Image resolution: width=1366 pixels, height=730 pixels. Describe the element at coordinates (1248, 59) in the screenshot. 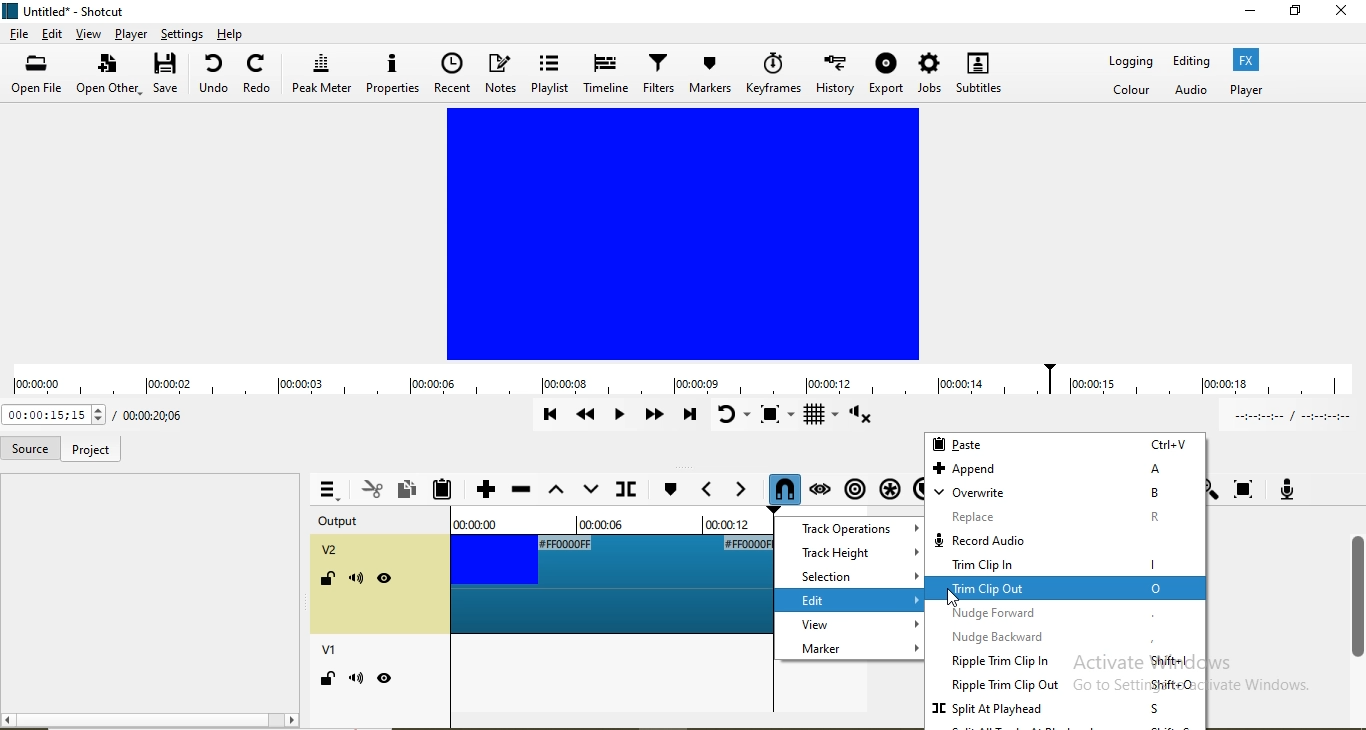

I see `Fx` at that location.